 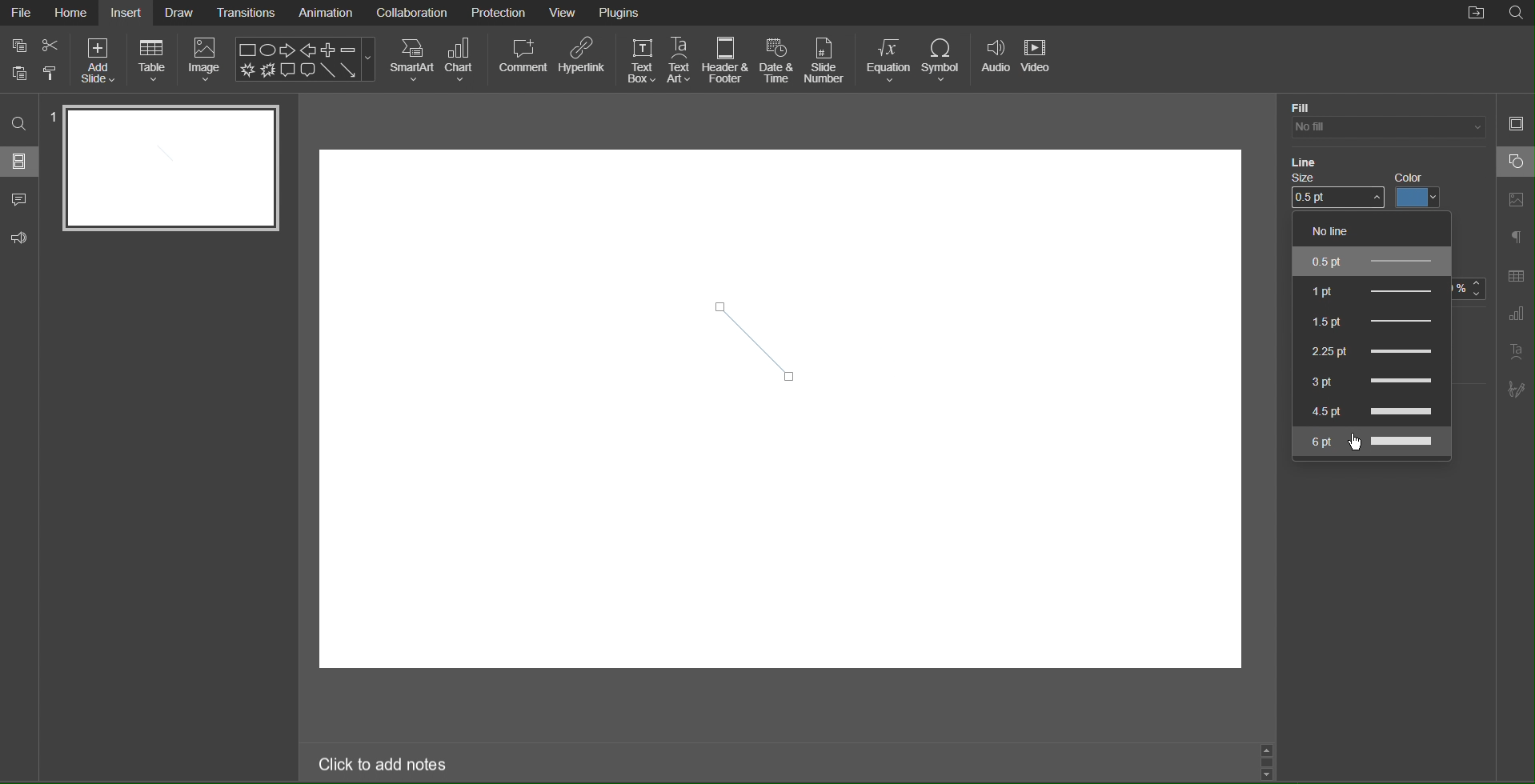 What do you see at coordinates (1516, 201) in the screenshot?
I see `Image Settings` at bounding box center [1516, 201].